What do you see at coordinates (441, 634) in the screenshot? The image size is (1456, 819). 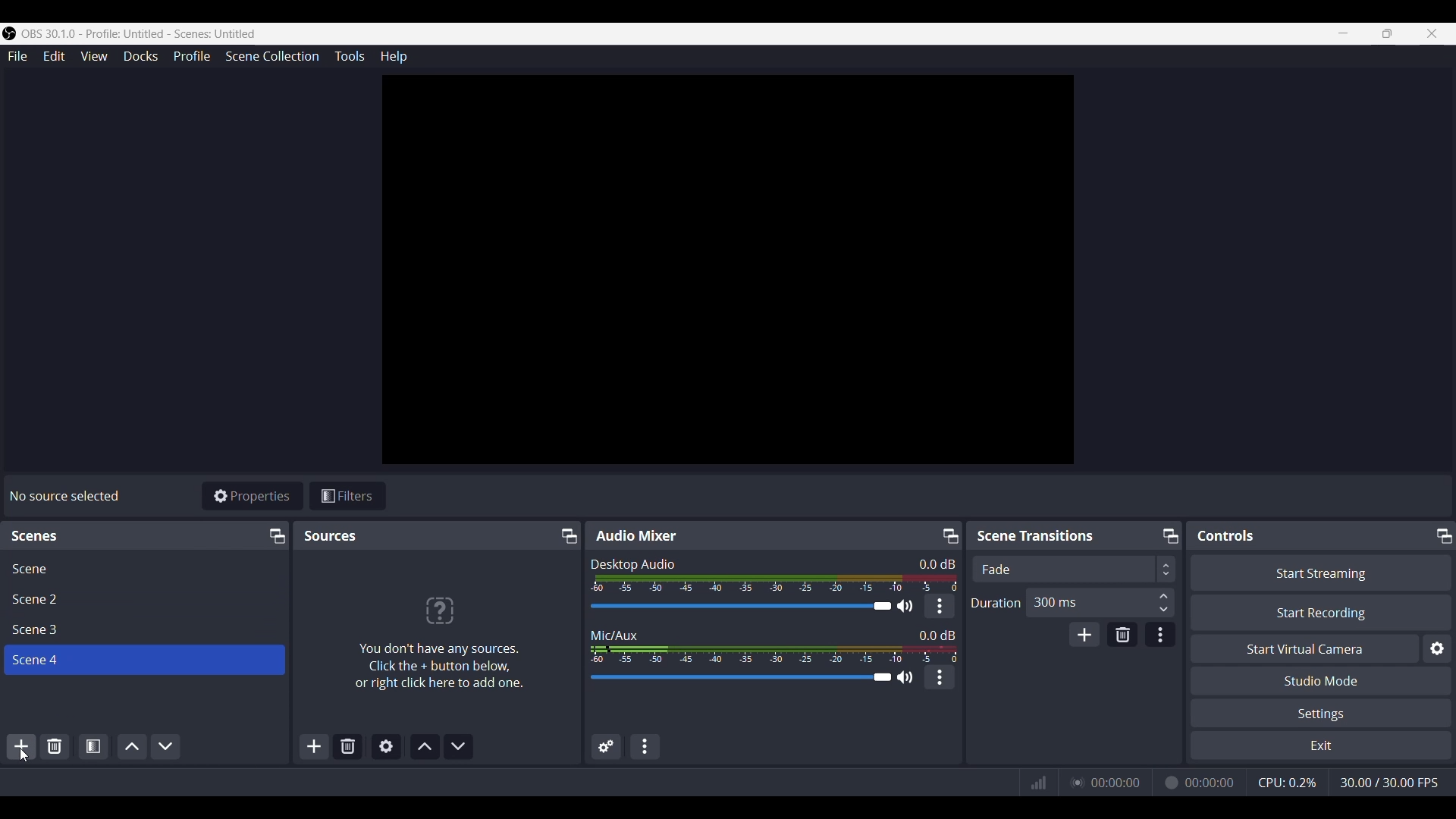 I see `"No sources added" text` at bounding box center [441, 634].